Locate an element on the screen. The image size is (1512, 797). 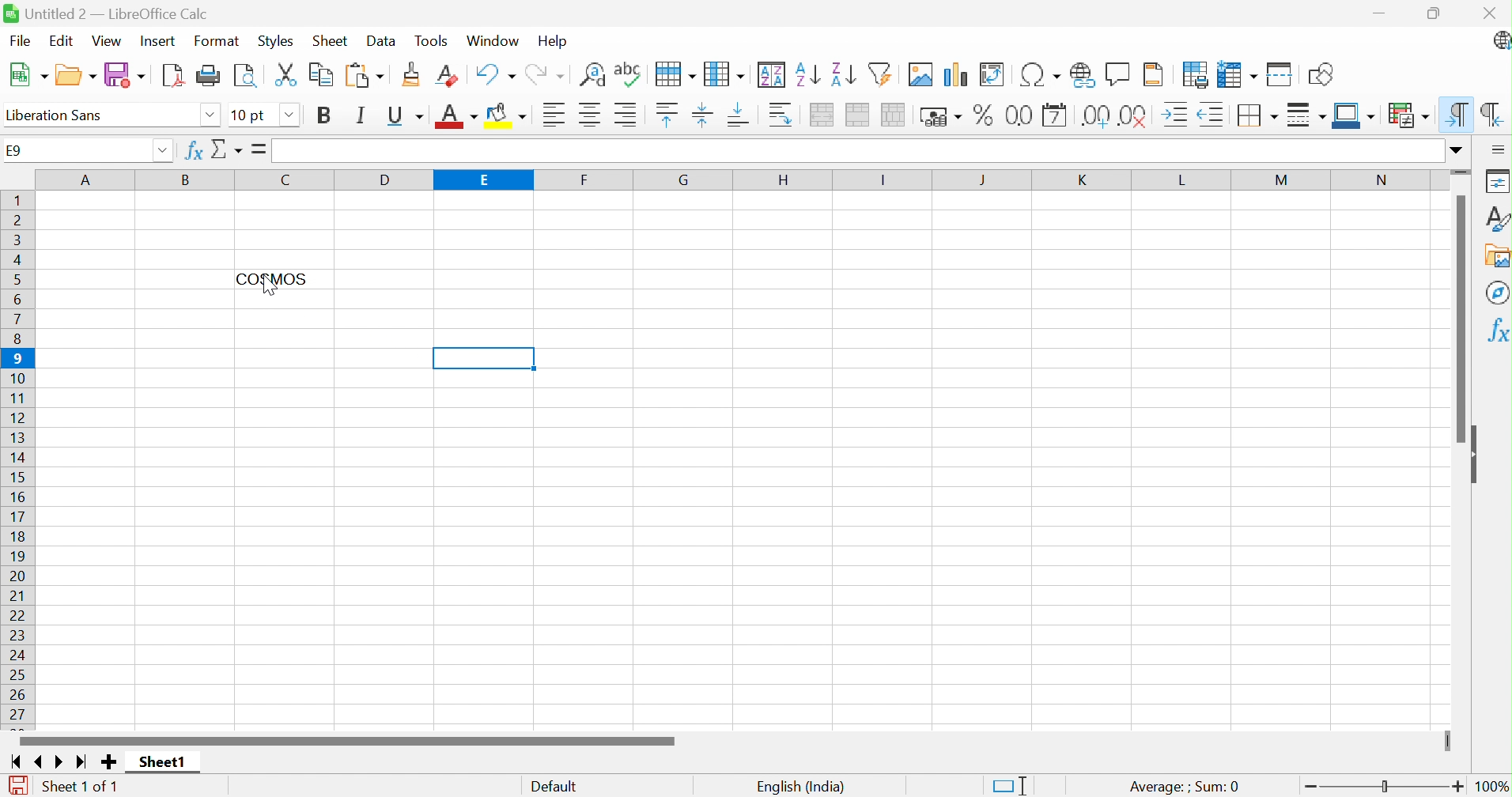
Sort is located at coordinates (773, 74).